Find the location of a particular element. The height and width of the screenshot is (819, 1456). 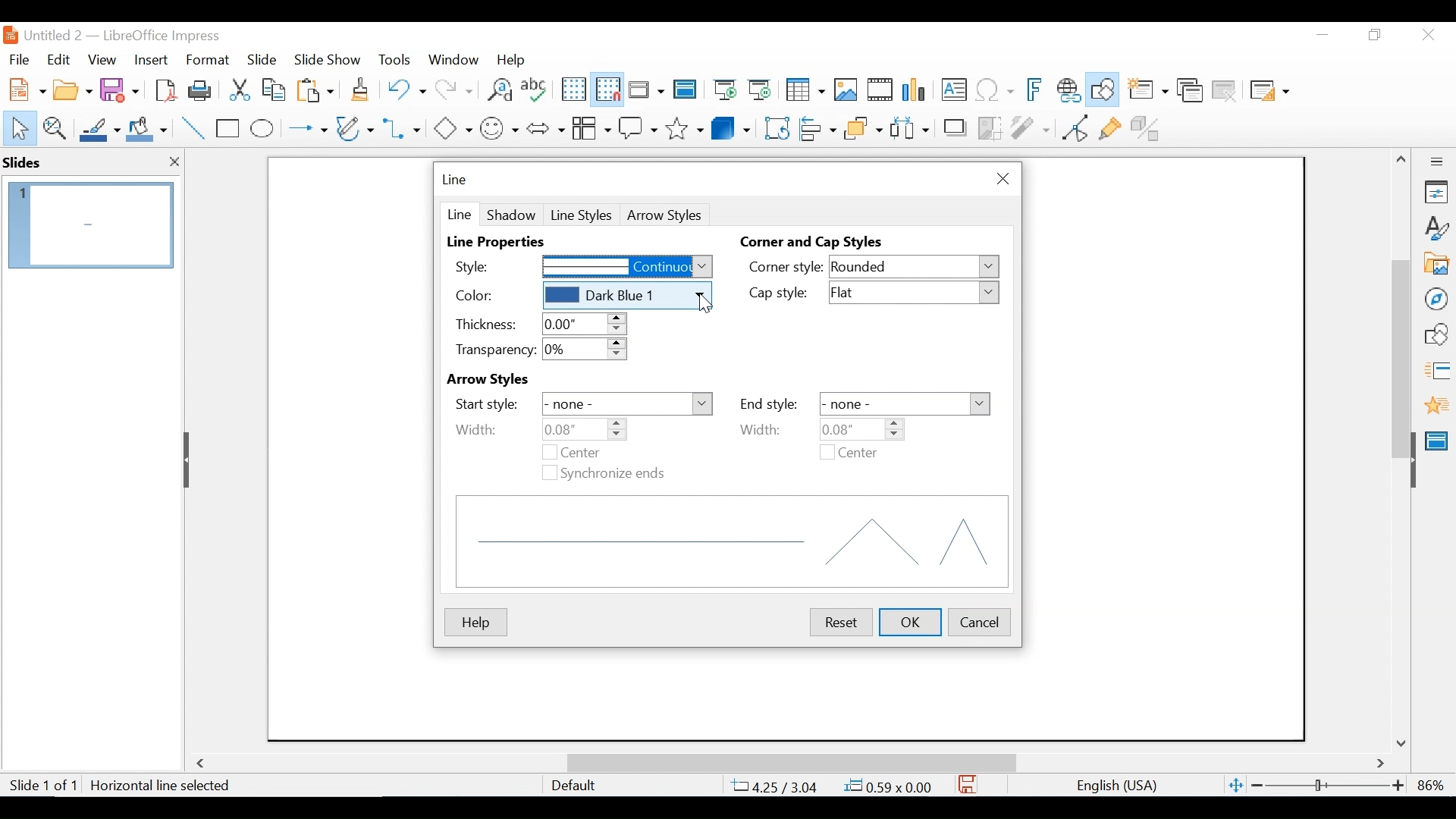

Continous is located at coordinates (627, 268).